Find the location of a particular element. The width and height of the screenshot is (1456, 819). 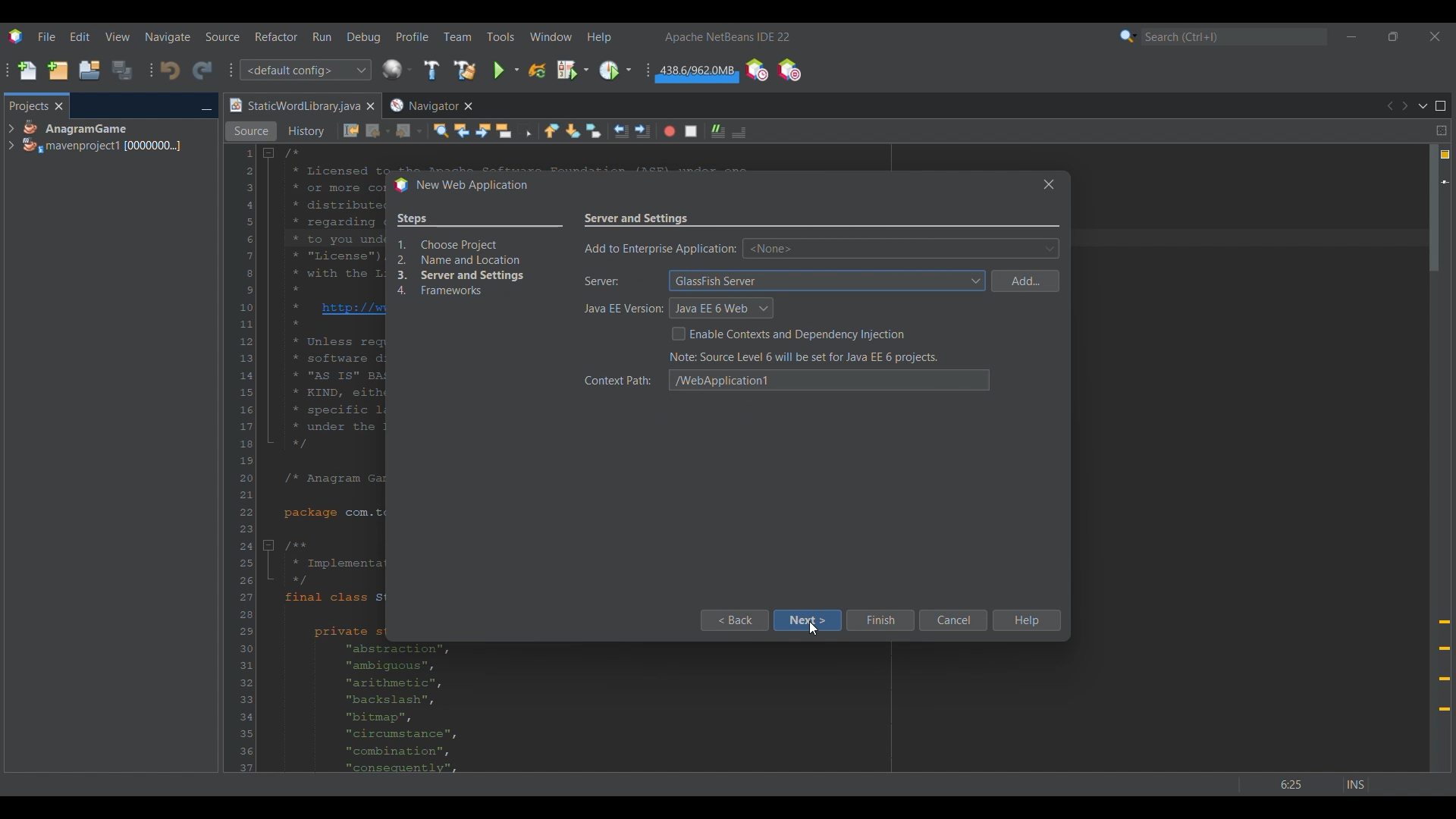

Find next occurrence is located at coordinates (483, 130).